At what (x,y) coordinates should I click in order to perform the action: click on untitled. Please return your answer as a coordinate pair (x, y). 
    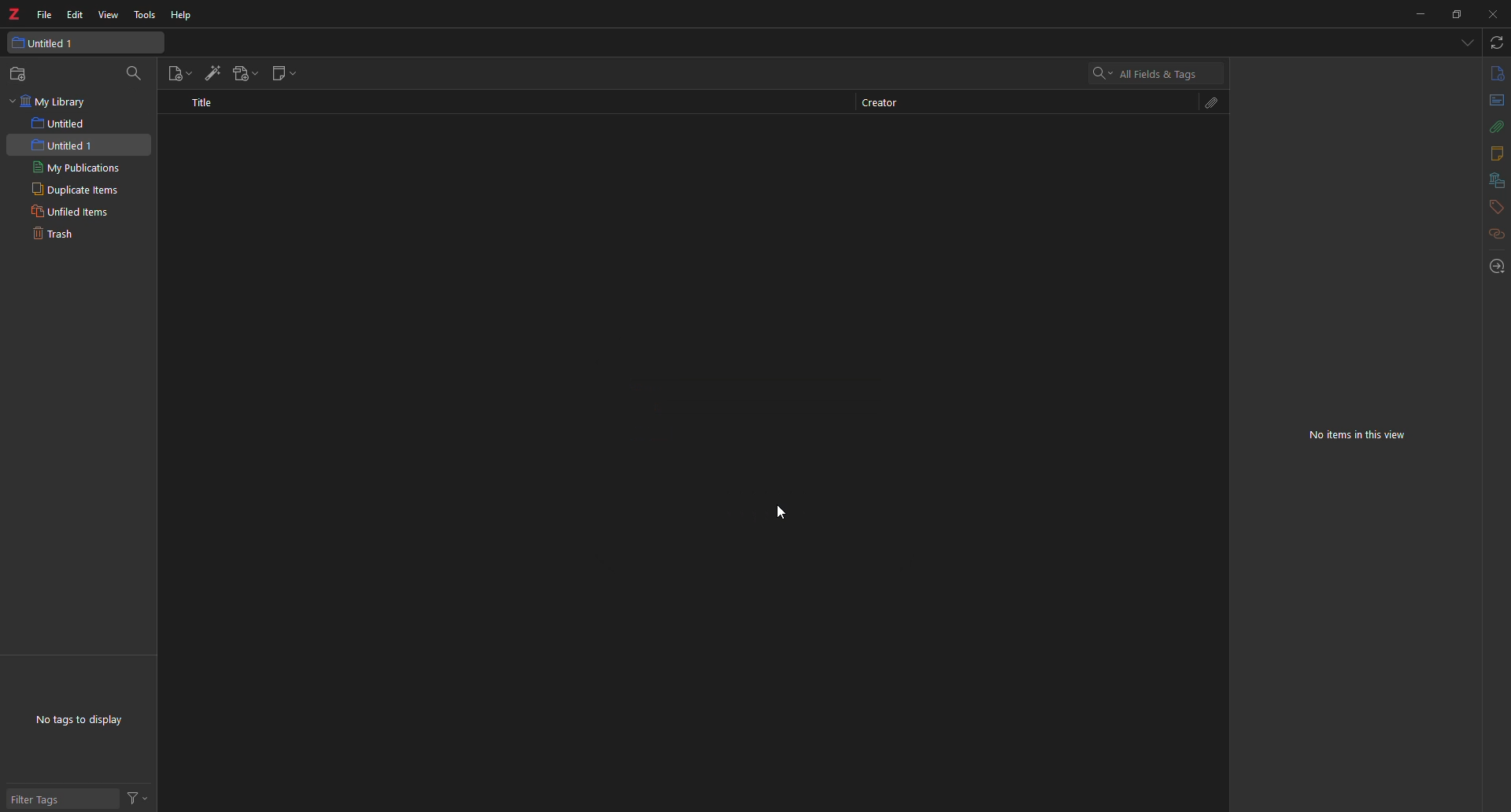
    Looking at the image, I should click on (61, 123).